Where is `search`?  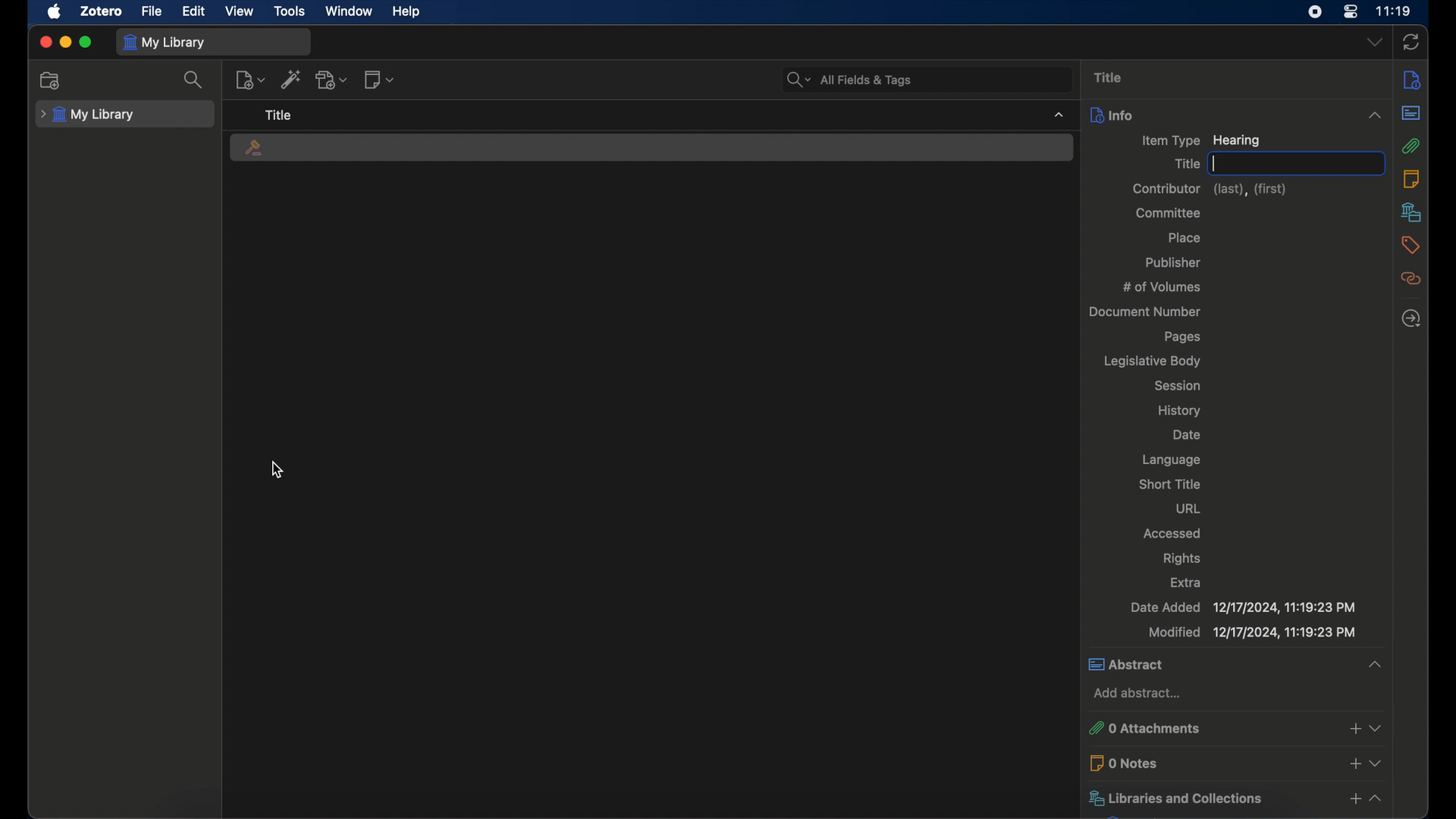
search is located at coordinates (196, 80).